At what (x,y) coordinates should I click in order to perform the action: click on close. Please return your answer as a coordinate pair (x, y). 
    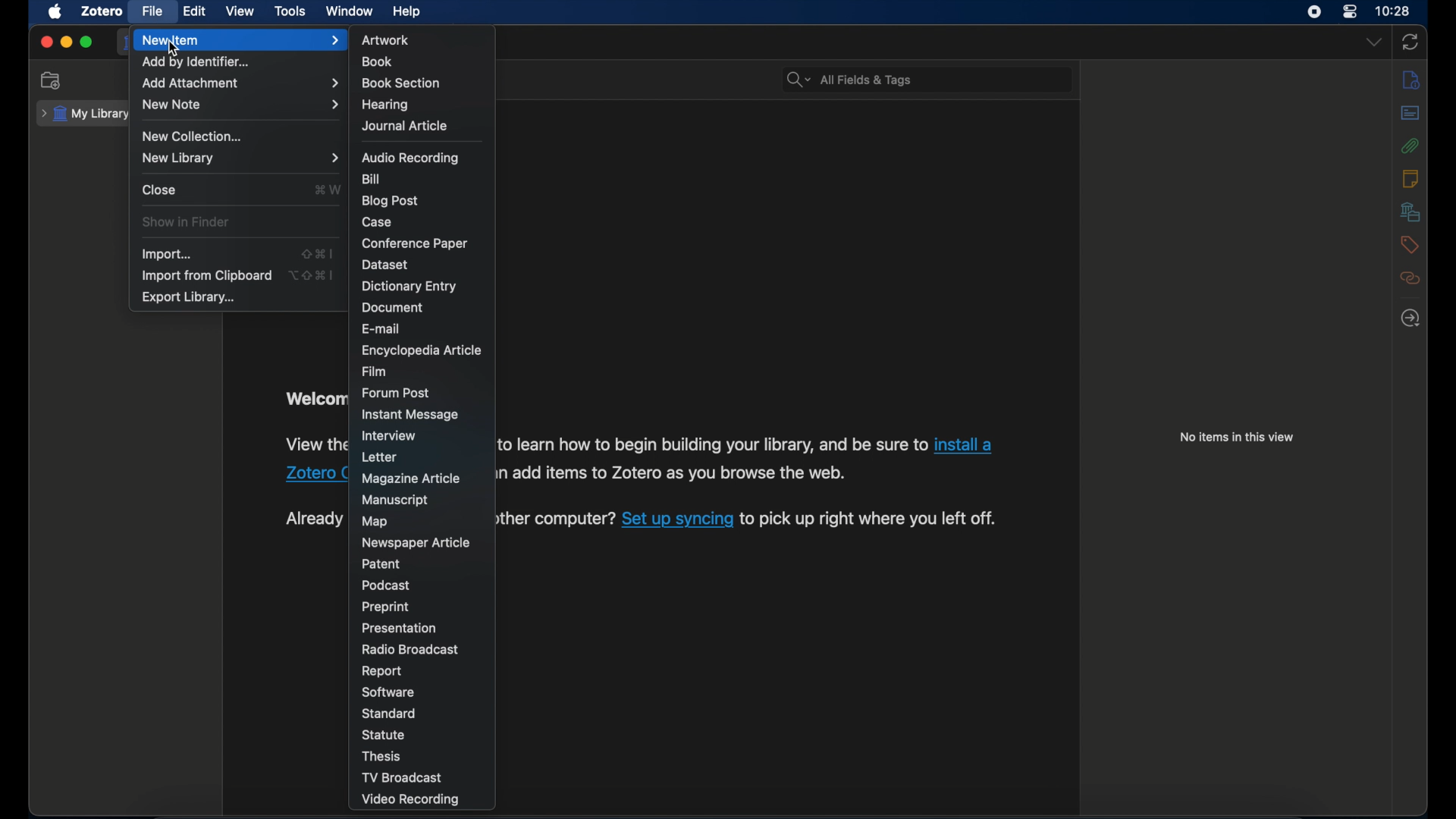
    Looking at the image, I should click on (45, 42).